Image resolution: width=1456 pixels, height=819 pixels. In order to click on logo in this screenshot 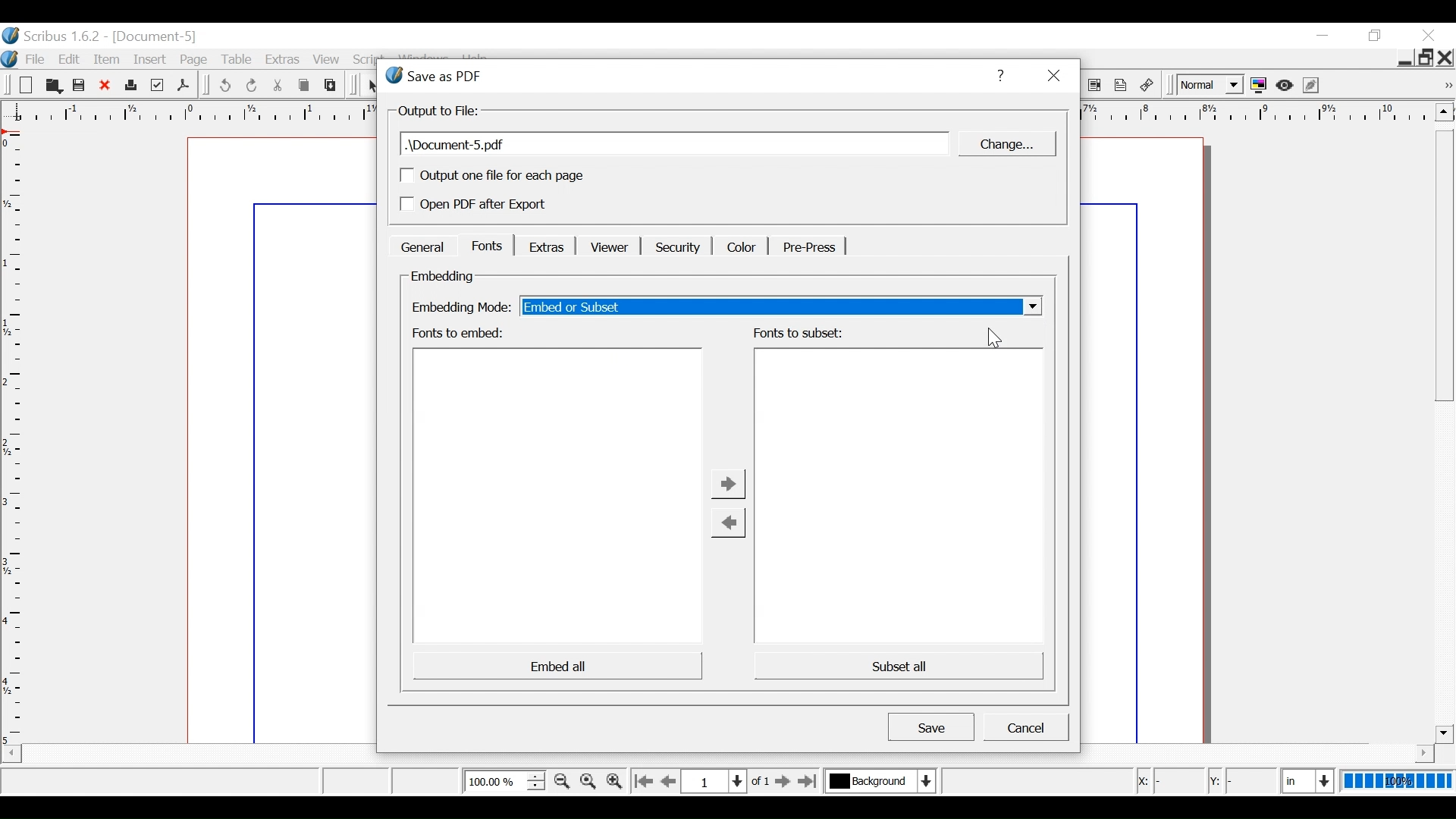, I will do `click(9, 58)`.